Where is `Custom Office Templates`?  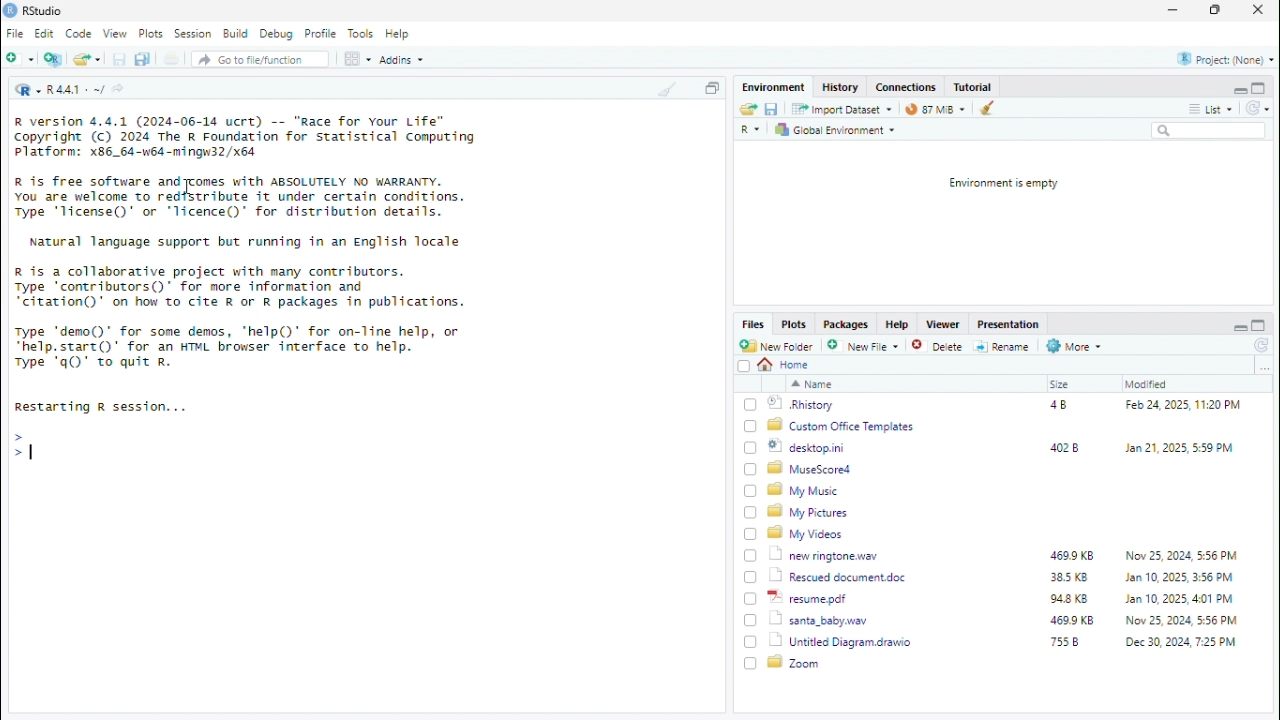 Custom Office Templates is located at coordinates (843, 426).